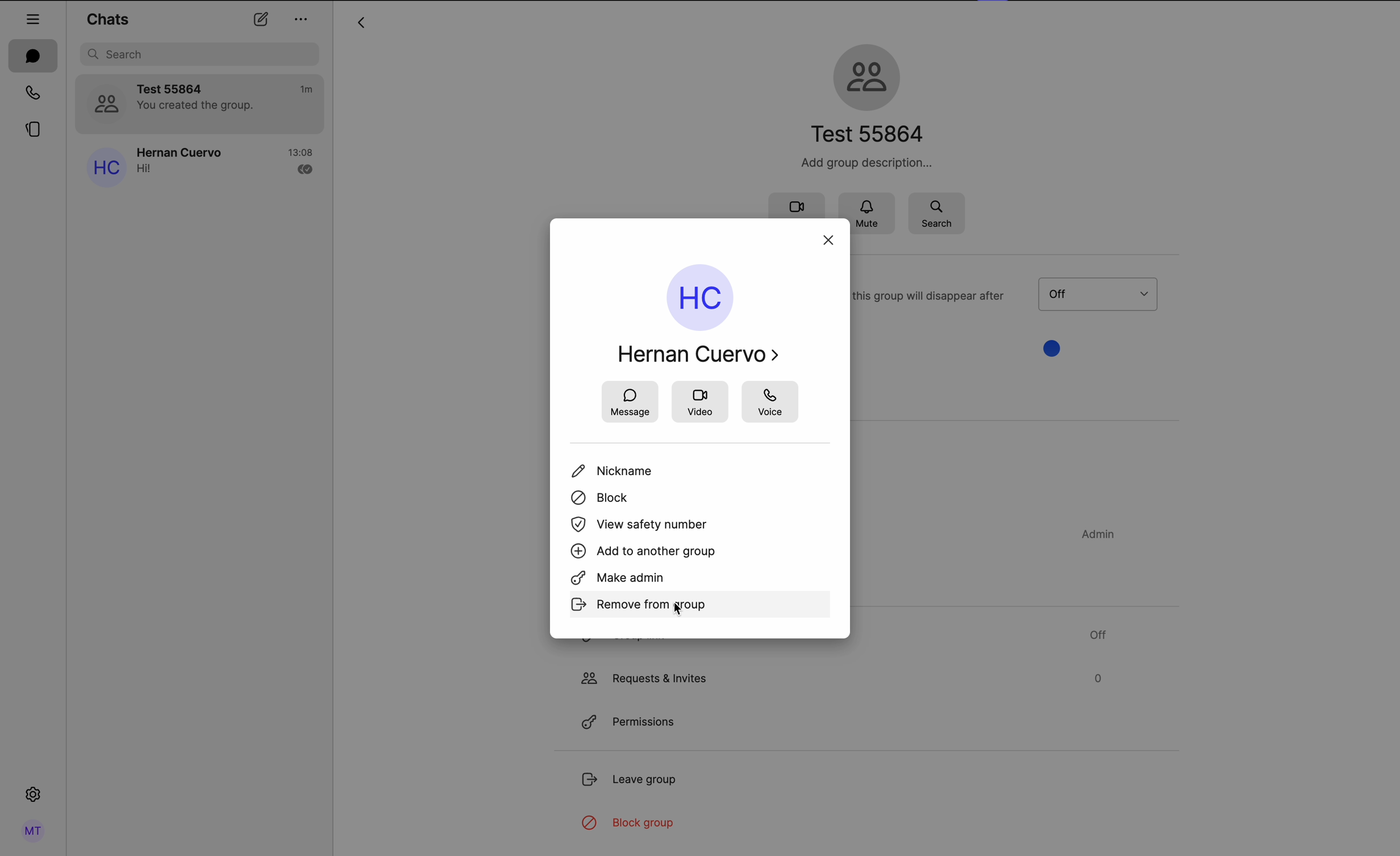 The image size is (1400, 856). I want to click on chats, so click(107, 18).